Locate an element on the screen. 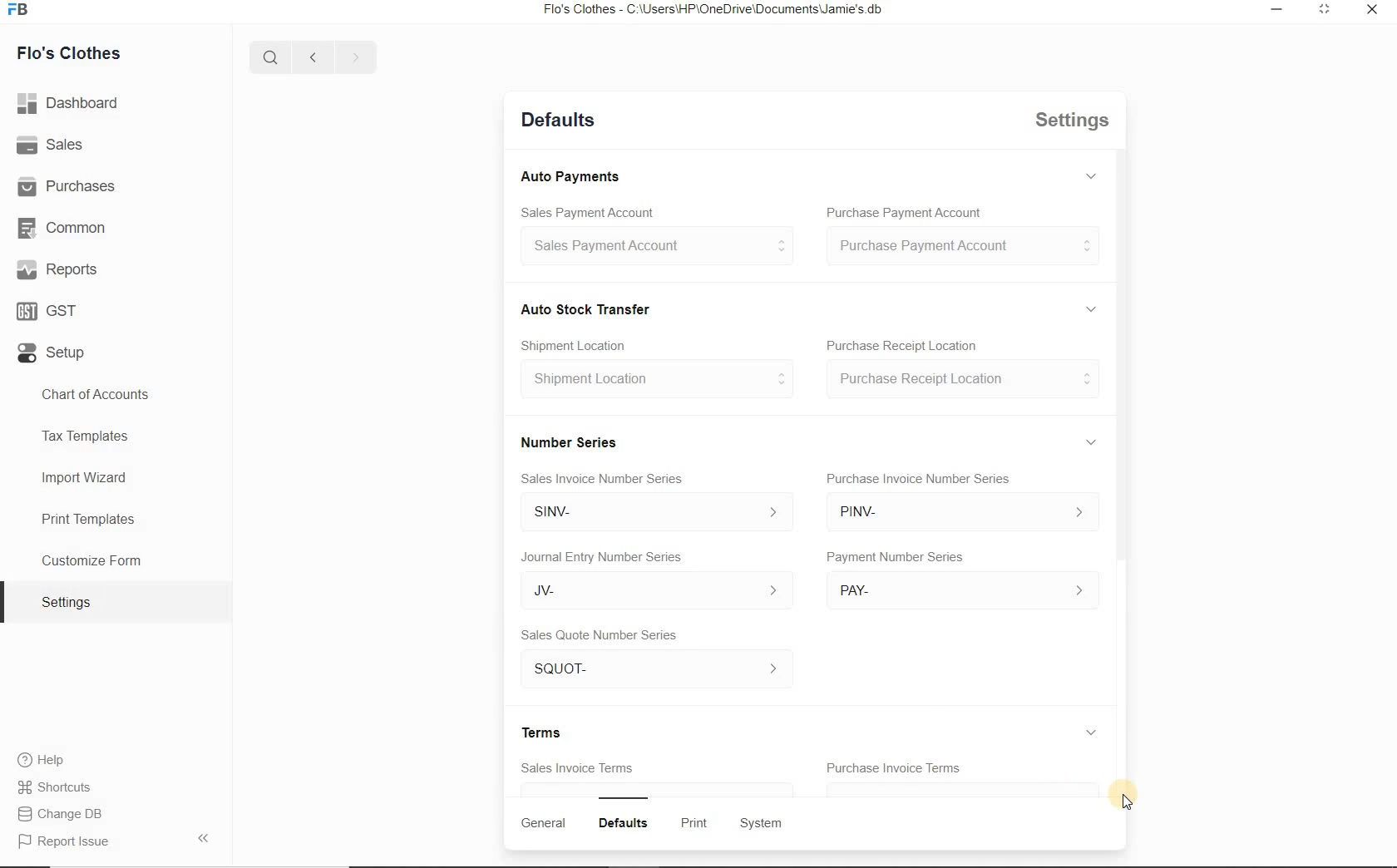 This screenshot has width=1397, height=868. SQUOT is located at coordinates (653, 668).